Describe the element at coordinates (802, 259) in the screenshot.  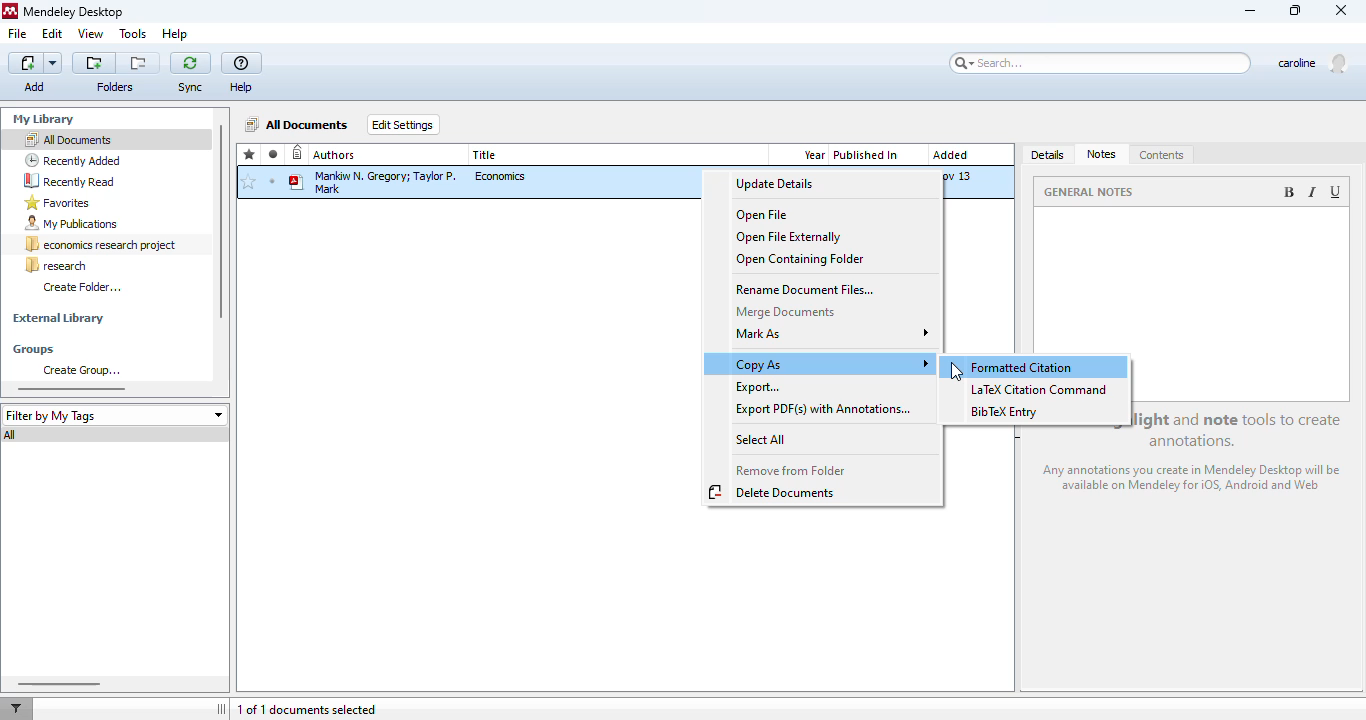
I see `open containing folder` at that location.